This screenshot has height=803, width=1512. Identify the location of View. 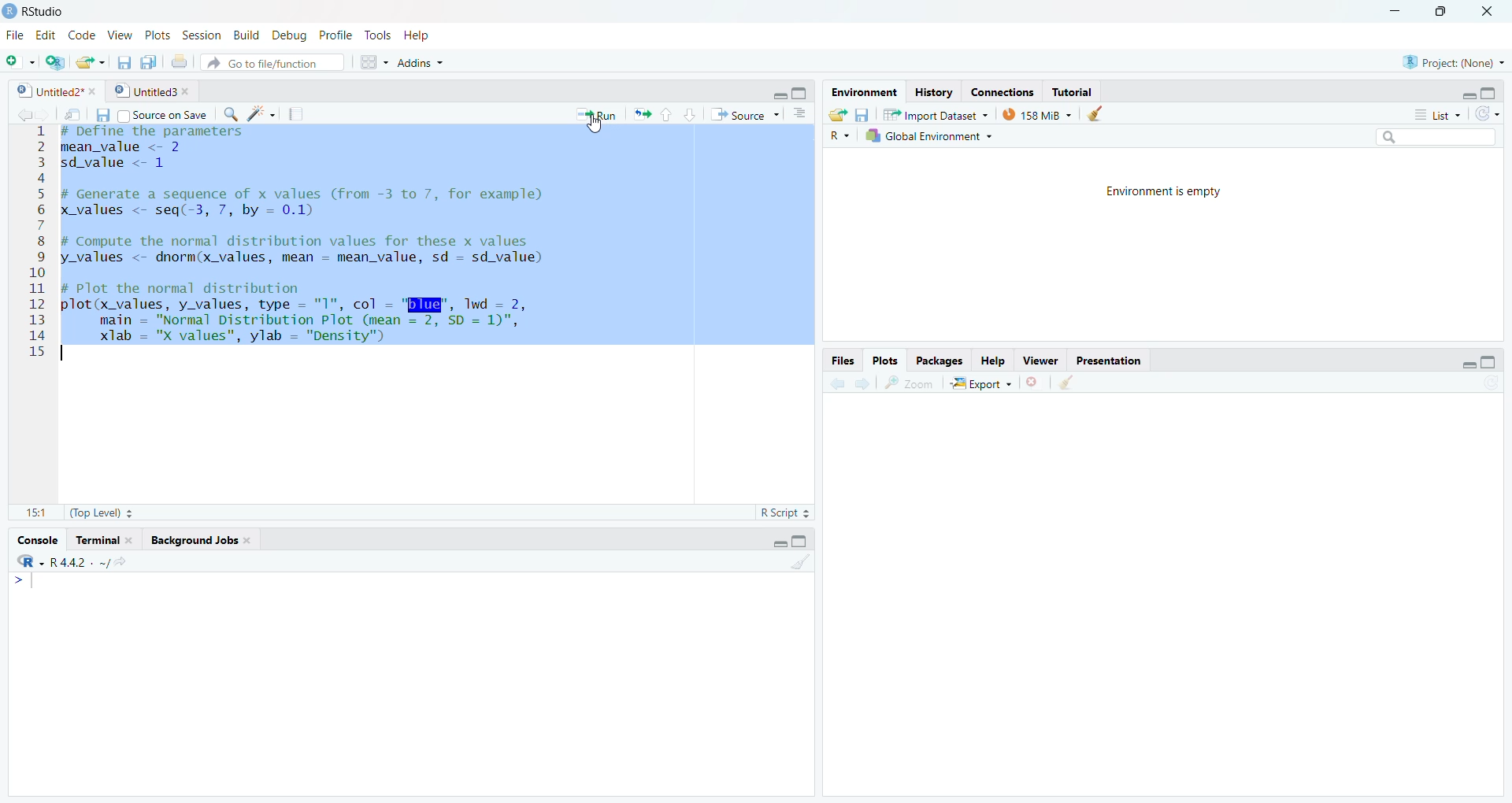
(117, 33).